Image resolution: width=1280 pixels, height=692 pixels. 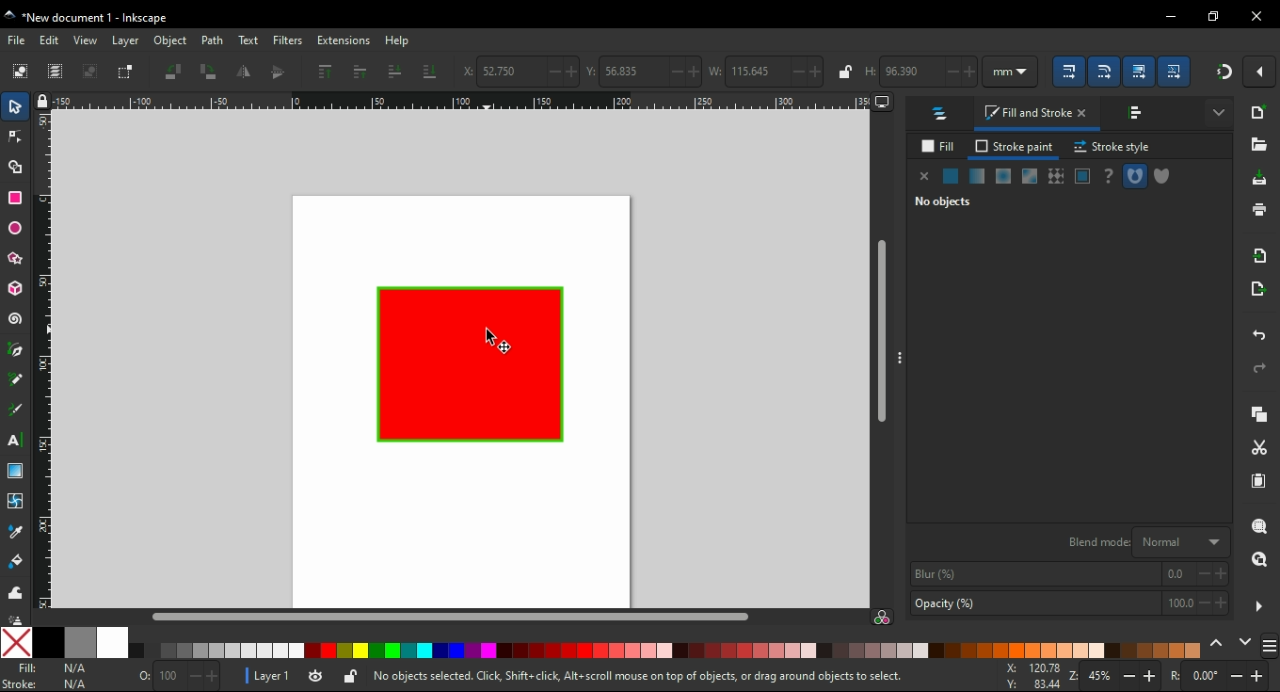 I want to click on node tool, so click(x=16, y=135).